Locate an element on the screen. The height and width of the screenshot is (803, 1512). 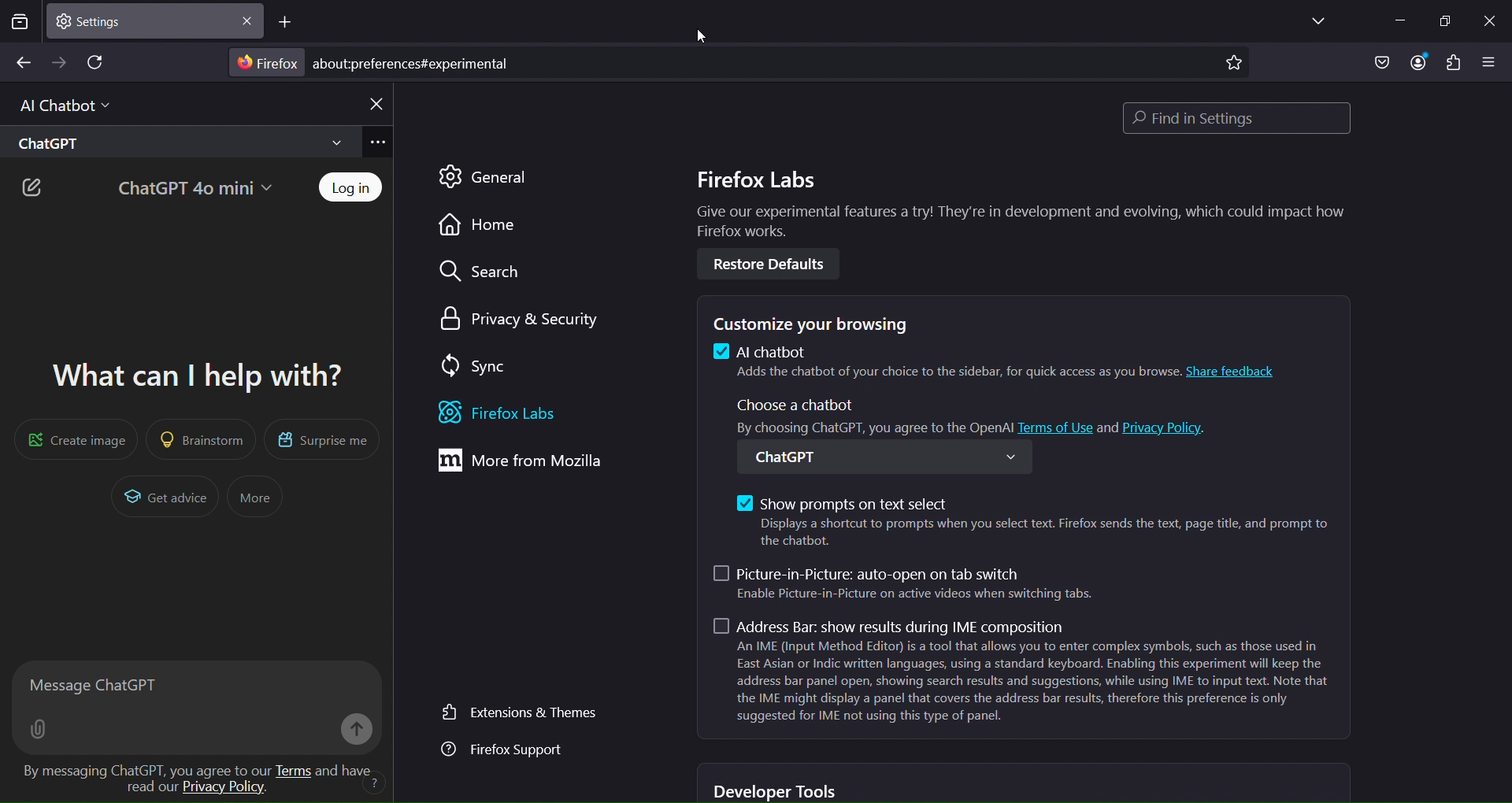
new chat is located at coordinates (33, 189).